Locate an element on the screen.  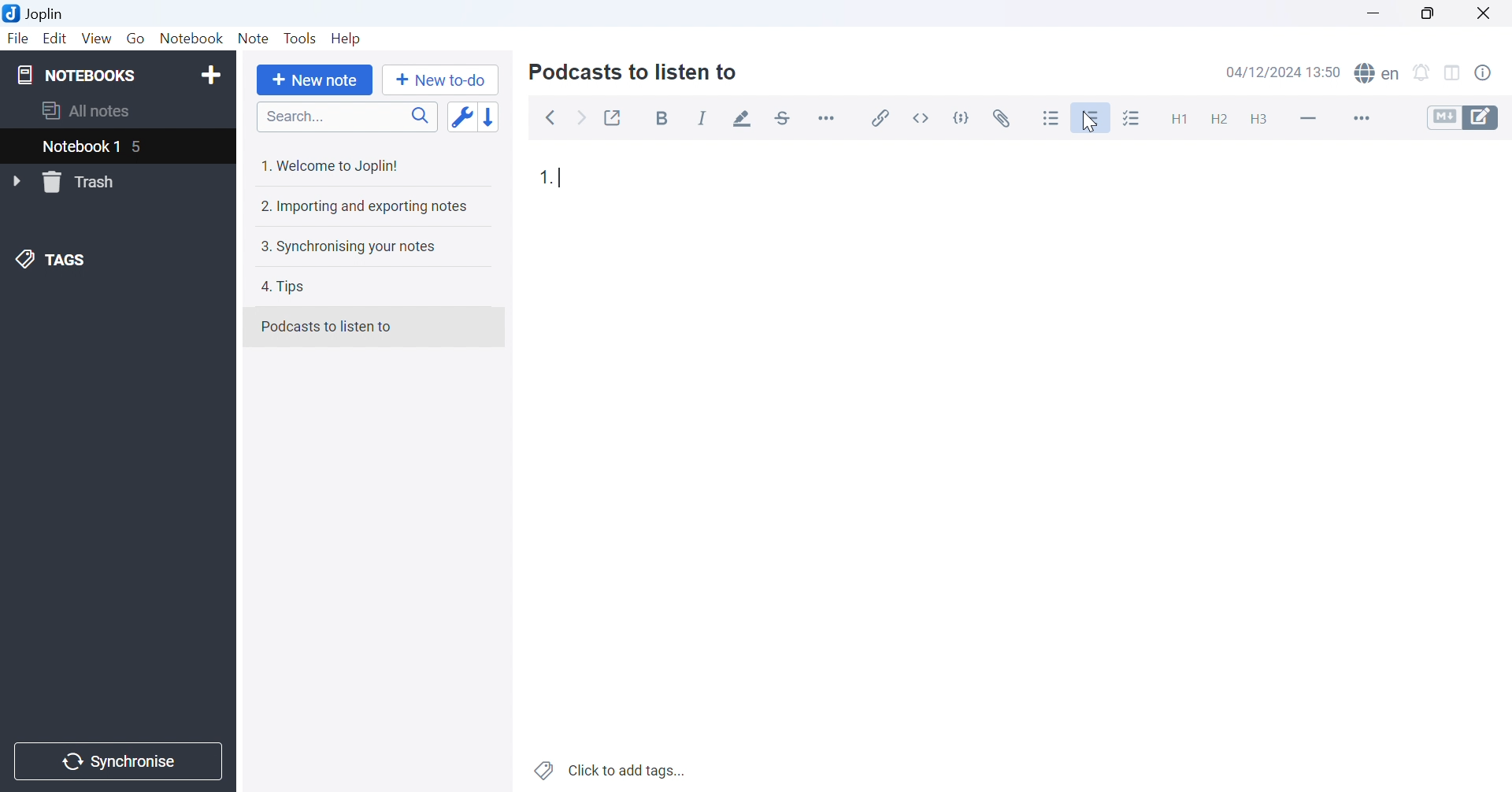
Bulleted list is located at coordinates (1052, 117).